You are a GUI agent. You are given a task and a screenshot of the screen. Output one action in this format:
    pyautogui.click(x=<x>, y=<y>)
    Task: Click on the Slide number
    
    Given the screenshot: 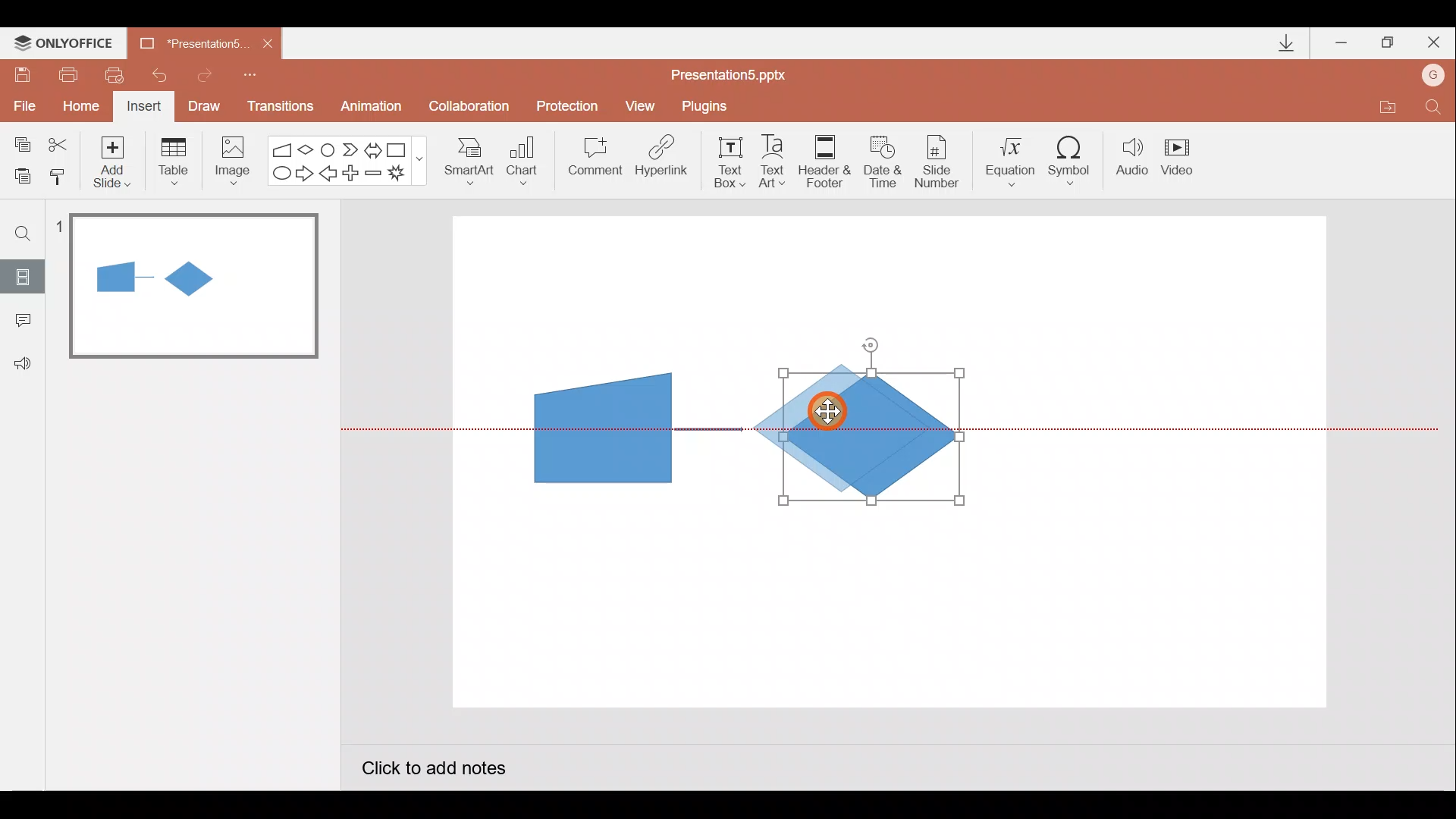 What is the action you would take?
    pyautogui.click(x=941, y=162)
    